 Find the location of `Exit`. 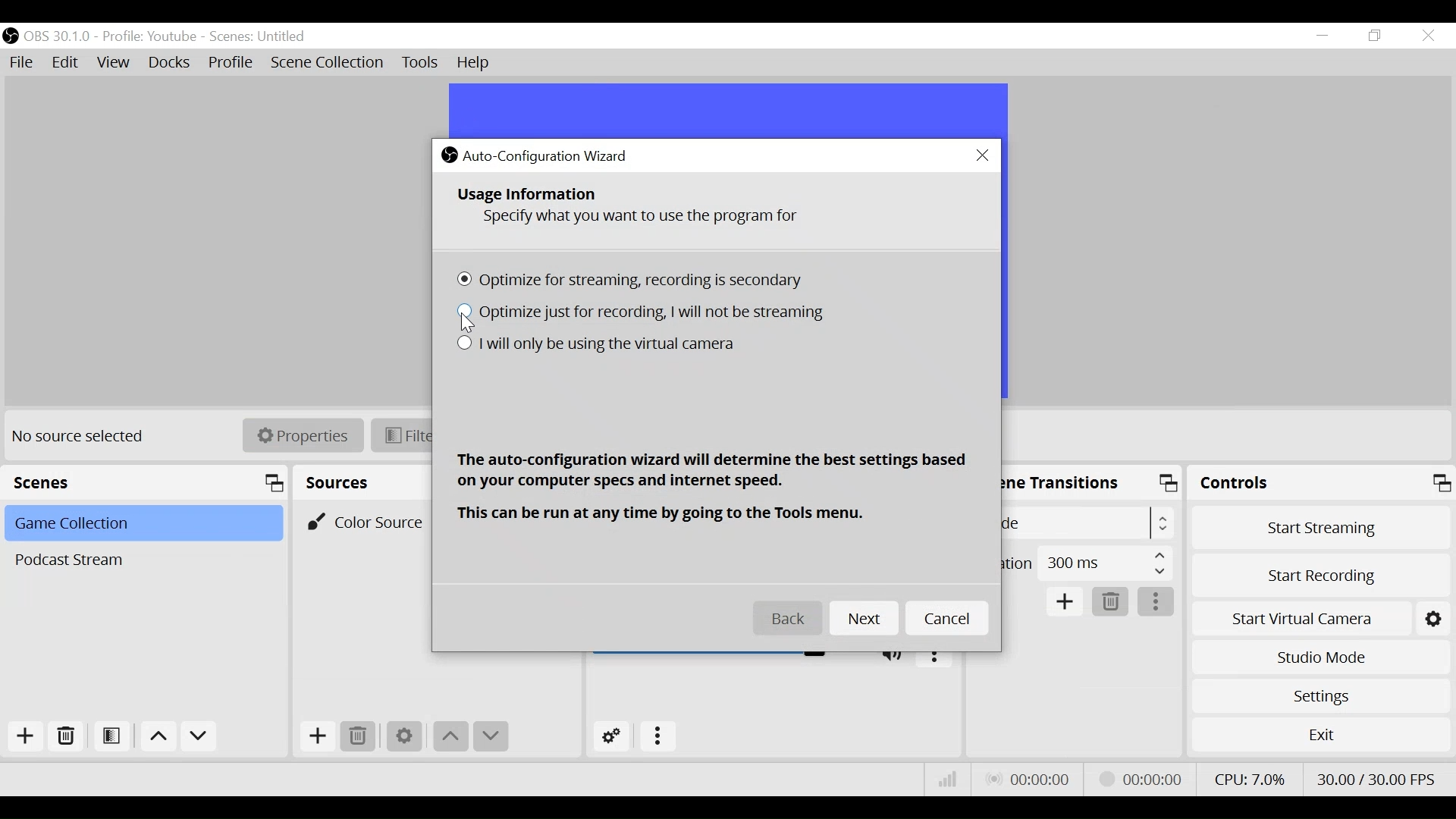

Exit is located at coordinates (1320, 735).